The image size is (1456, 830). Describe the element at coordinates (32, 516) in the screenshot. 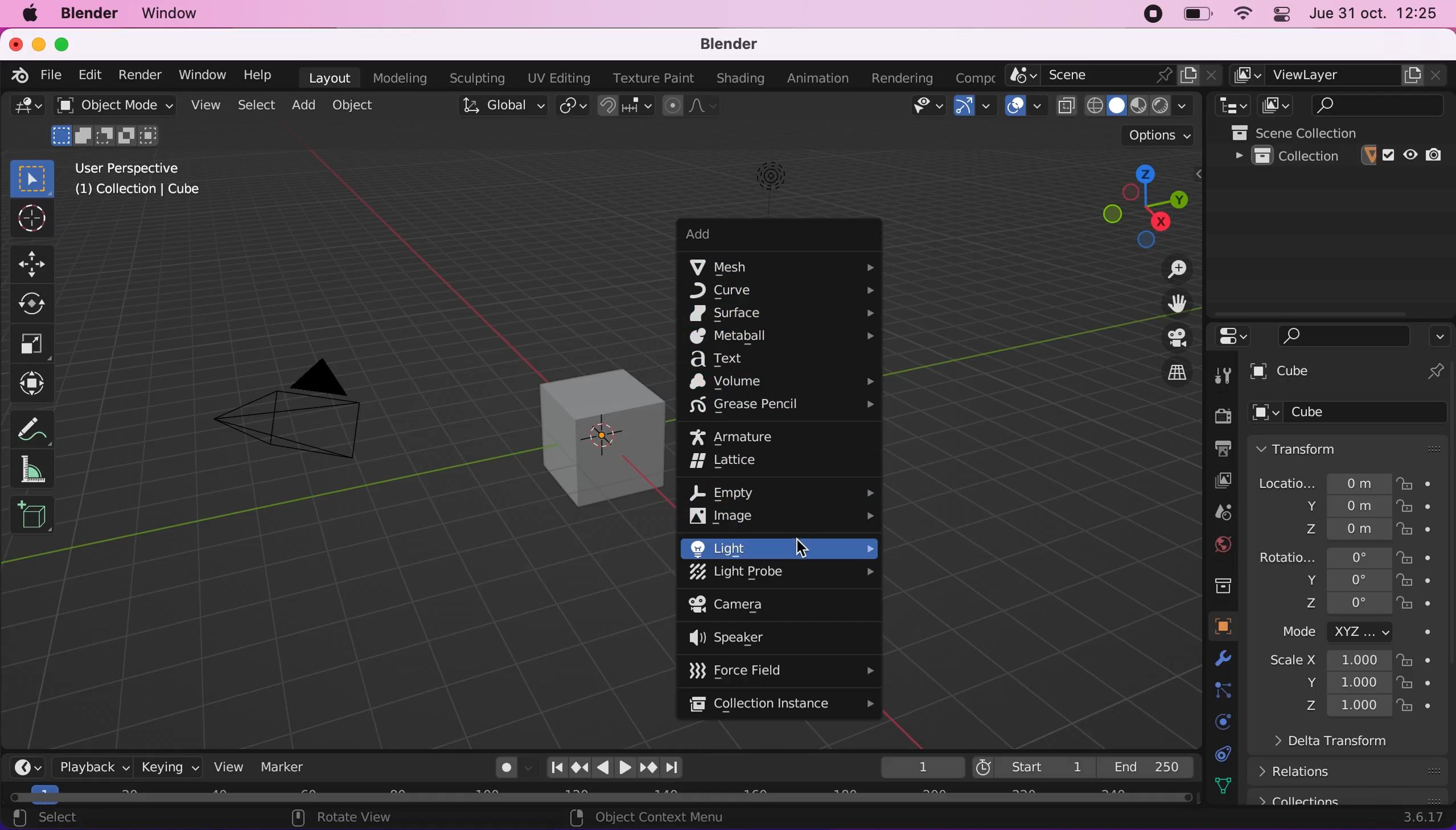

I see `add cube` at that location.